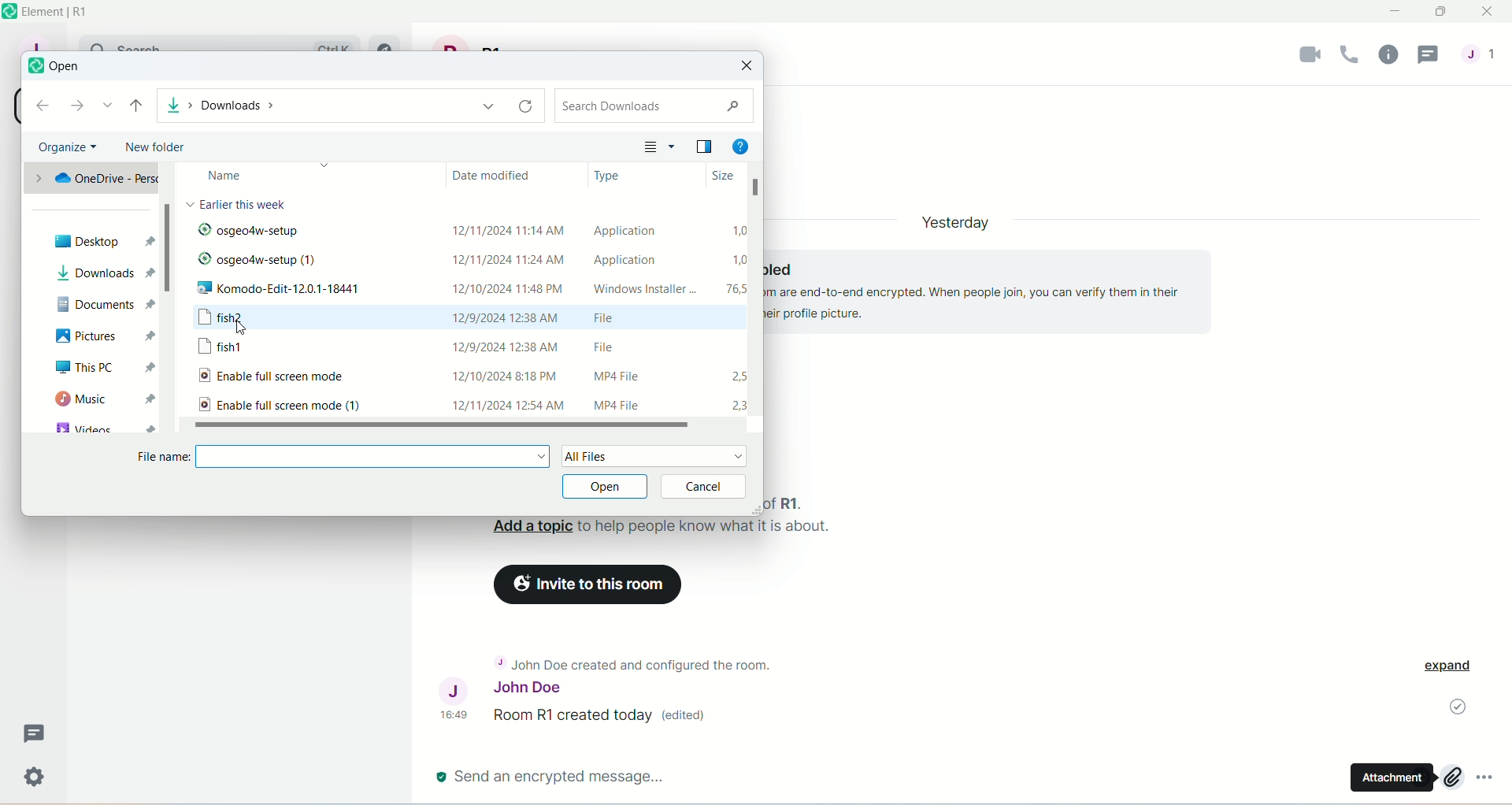  Describe the element at coordinates (102, 337) in the screenshot. I see `pictures` at that location.